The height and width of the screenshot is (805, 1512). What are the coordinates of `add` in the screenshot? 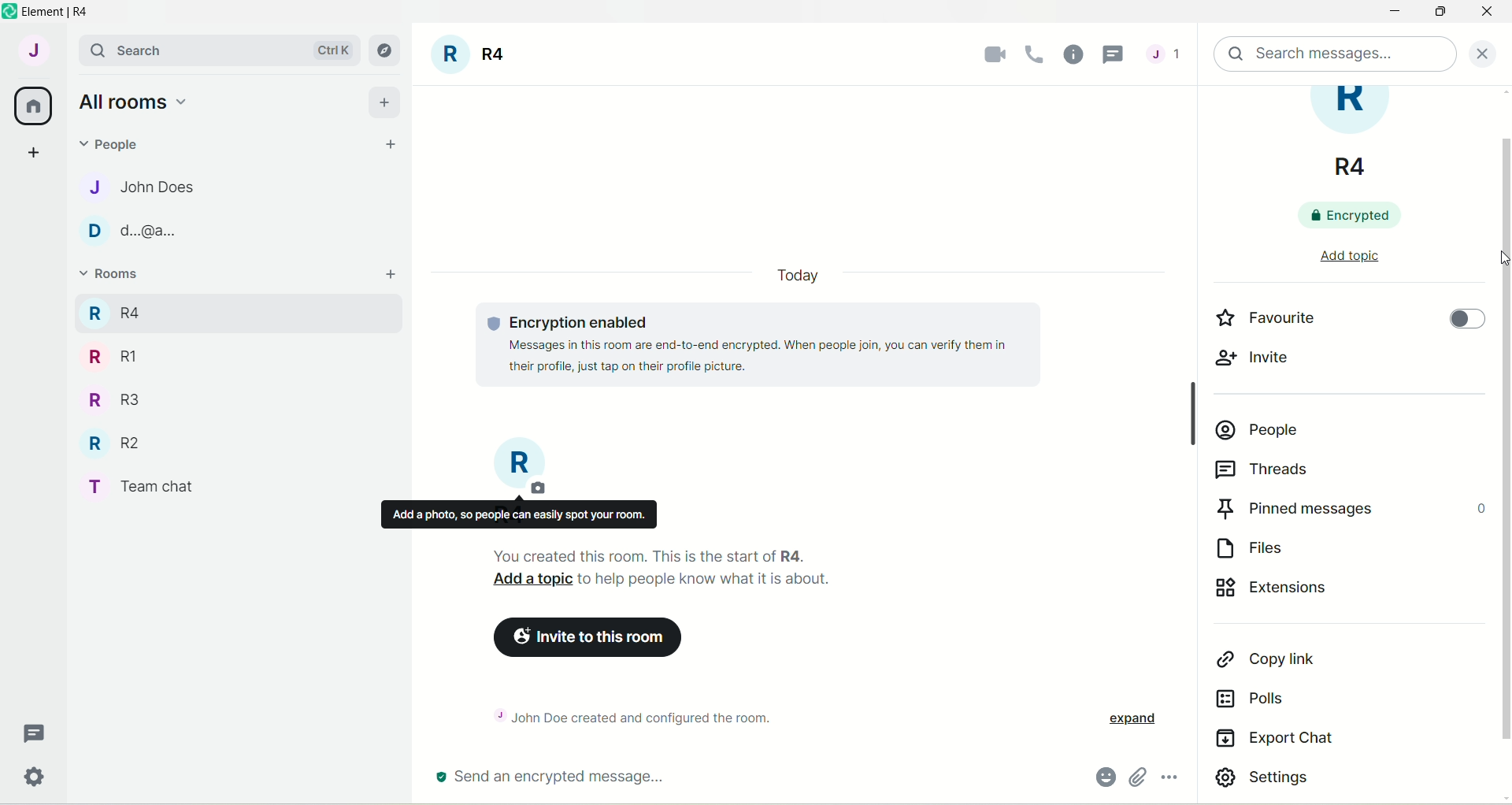 It's located at (393, 275).